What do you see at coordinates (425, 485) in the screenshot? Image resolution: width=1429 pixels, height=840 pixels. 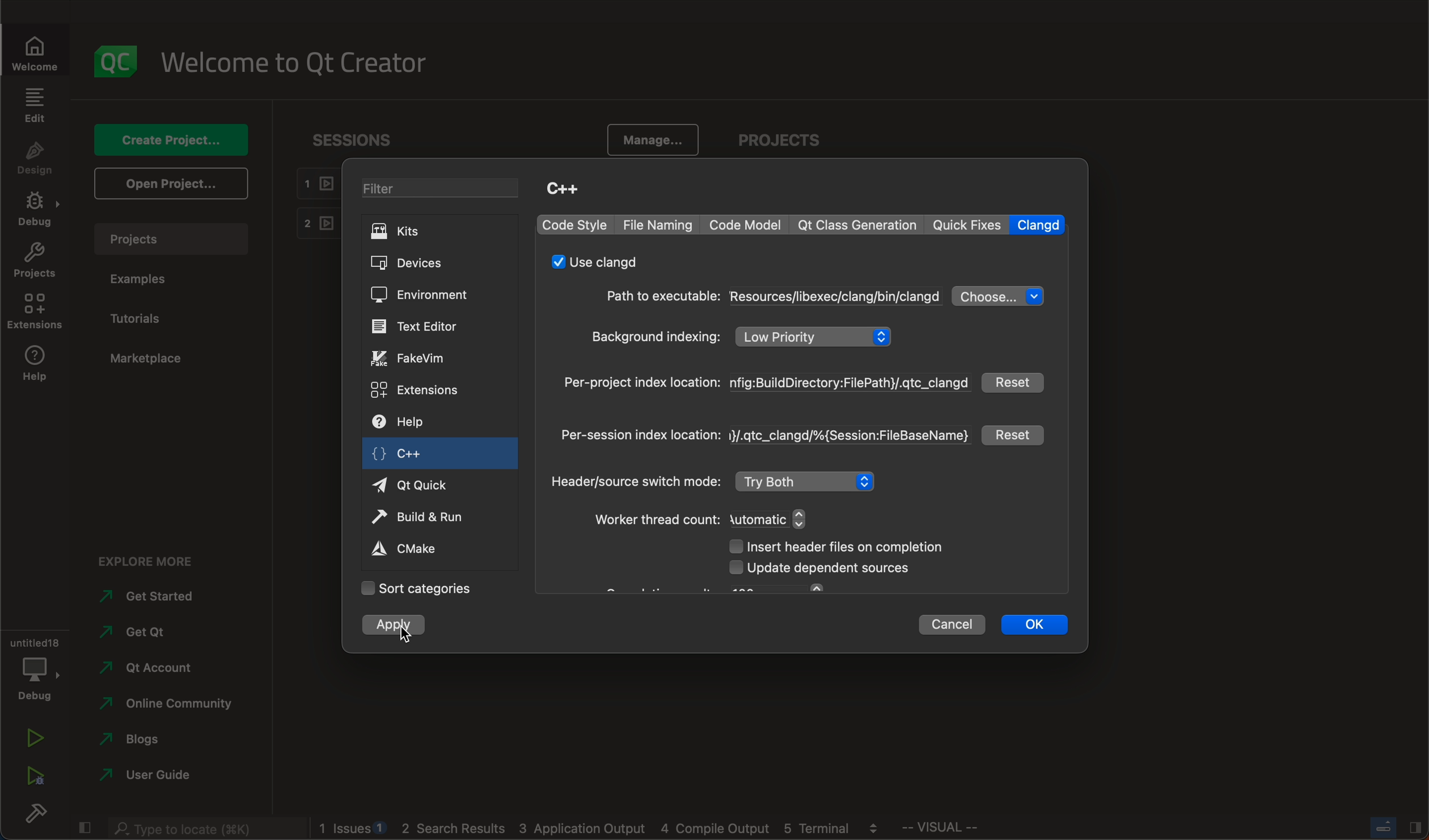 I see `qt` at bounding box center [425, 485].